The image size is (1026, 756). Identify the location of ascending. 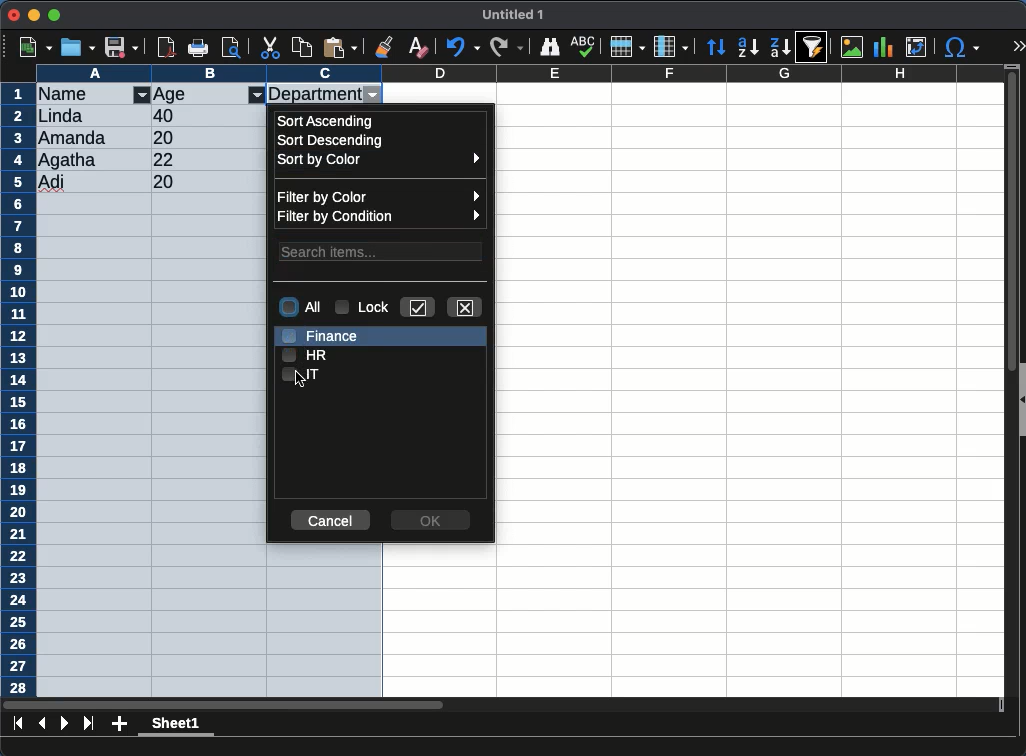
(328, 120).